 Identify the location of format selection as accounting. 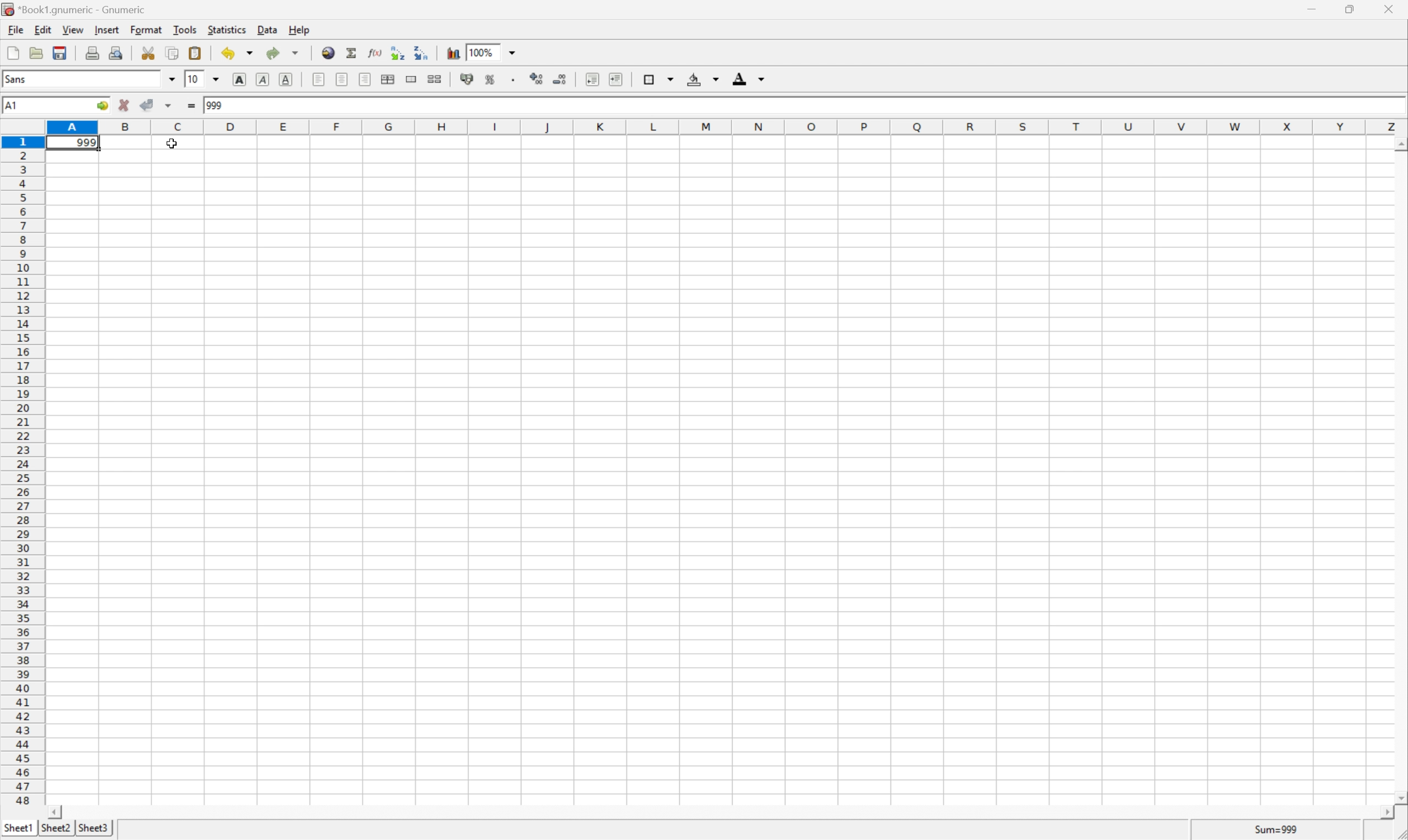
(468, 80).